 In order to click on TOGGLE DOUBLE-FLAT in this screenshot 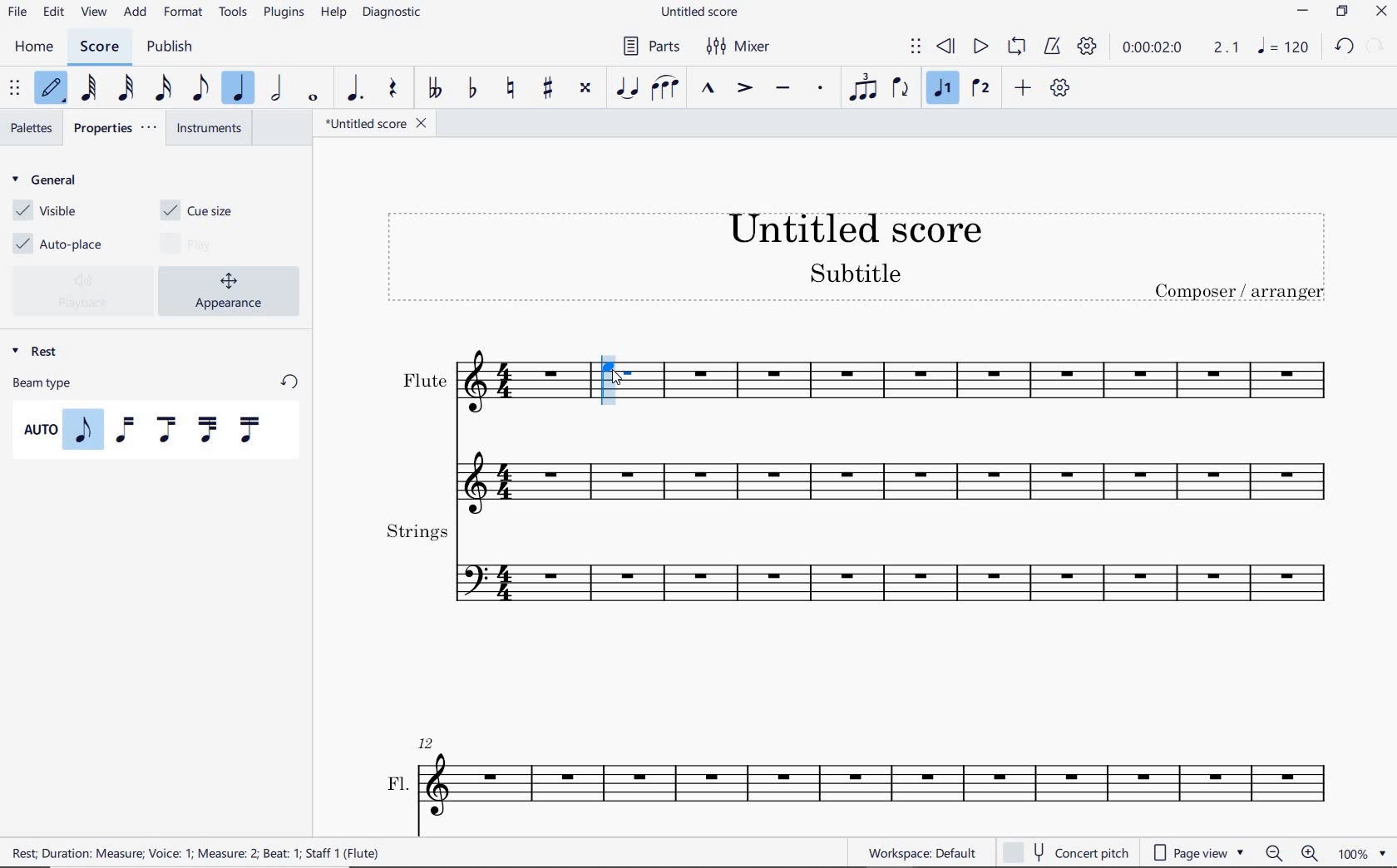, I will do `click(436, 89)`.